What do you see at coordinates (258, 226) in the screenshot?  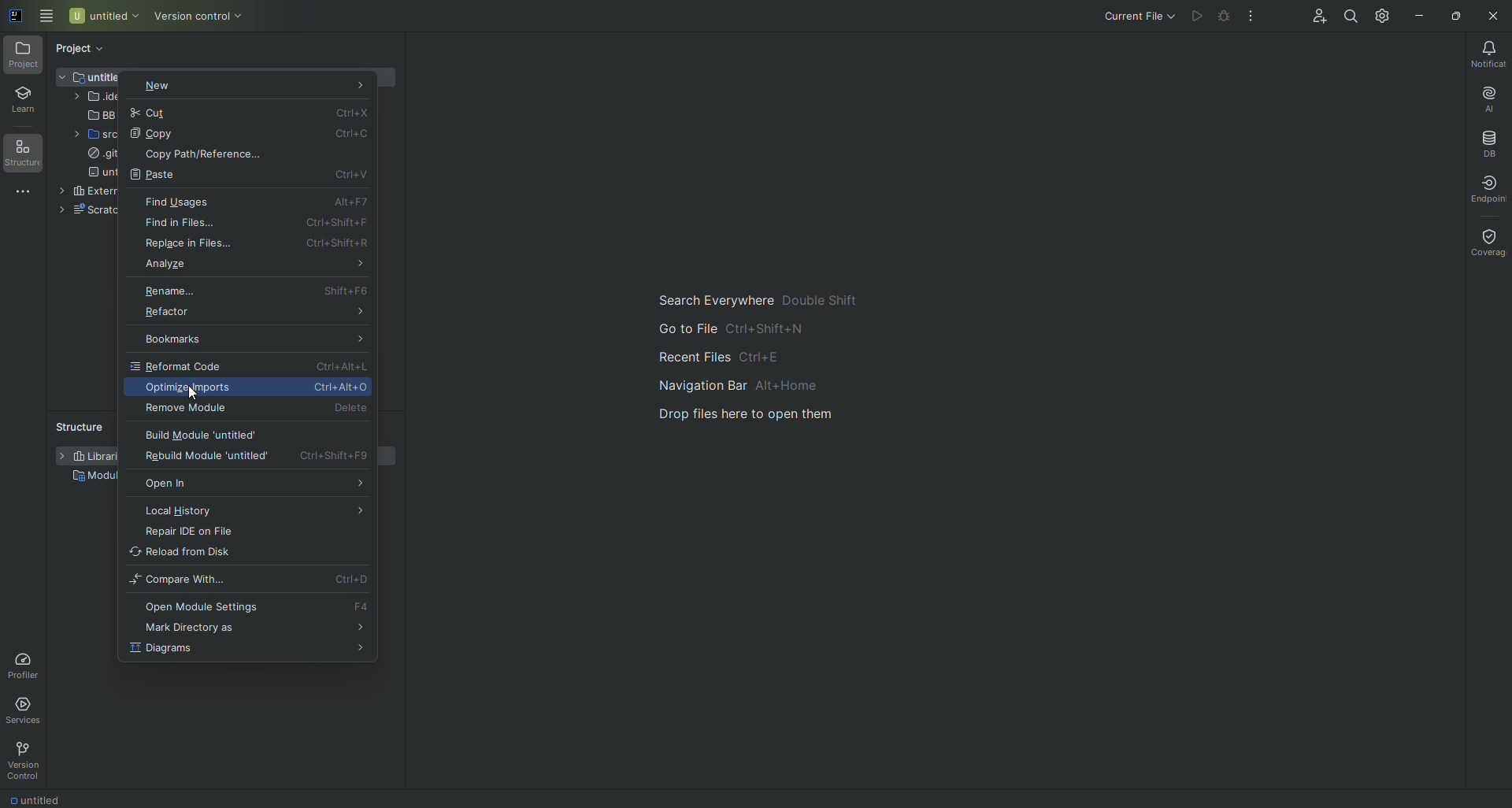 I see `Find in Files` at bounding box center [258, 226].